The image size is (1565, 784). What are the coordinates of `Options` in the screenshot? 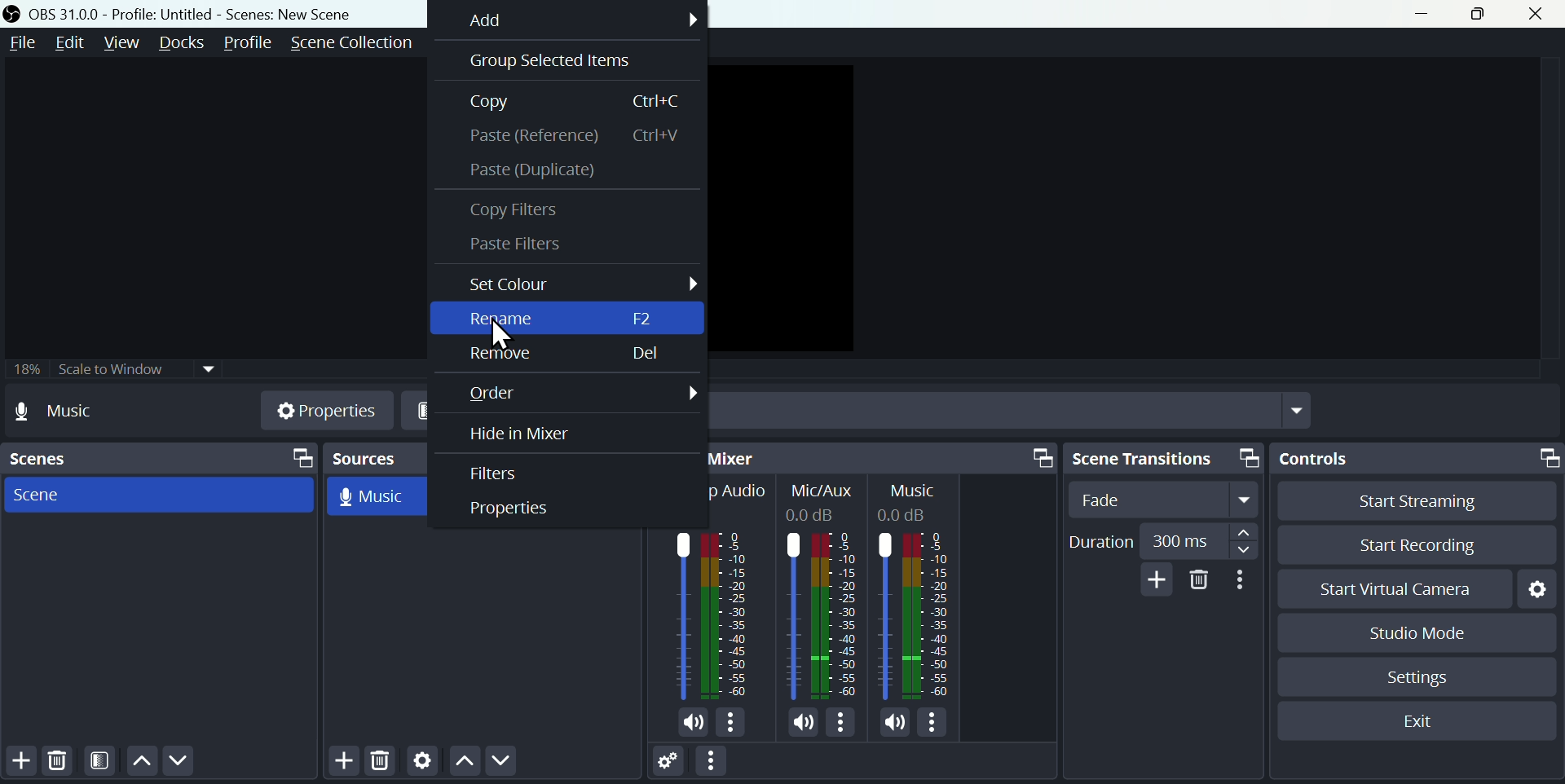 It's located at (933, 722).